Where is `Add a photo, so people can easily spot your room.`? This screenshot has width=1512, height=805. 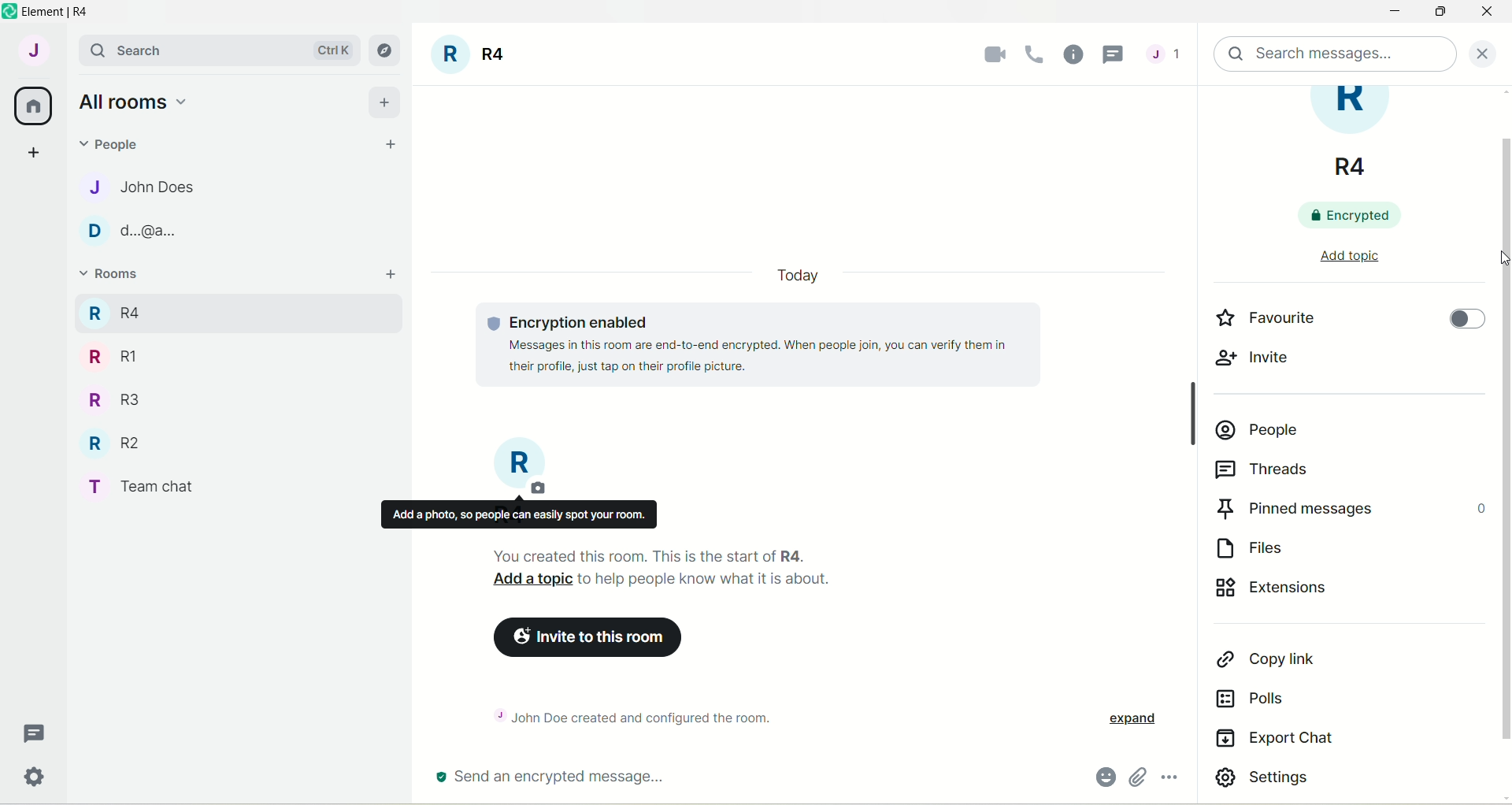 Add a photo, so people can easily spot your room. is located at coordinates (518, 514).